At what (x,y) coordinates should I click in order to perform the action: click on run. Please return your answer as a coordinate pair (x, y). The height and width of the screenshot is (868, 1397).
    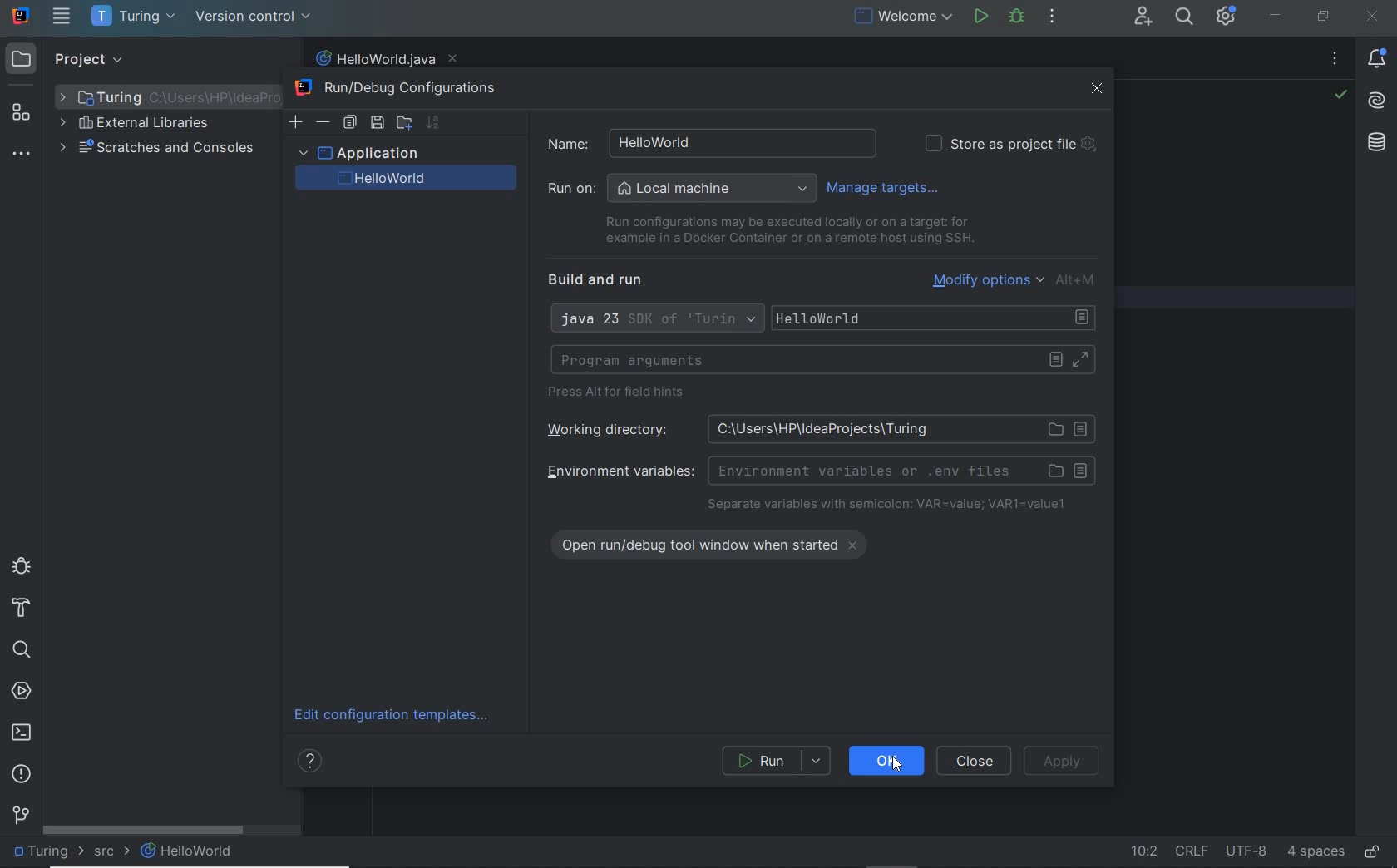
    Looking at the image, I should click on (777, 761).